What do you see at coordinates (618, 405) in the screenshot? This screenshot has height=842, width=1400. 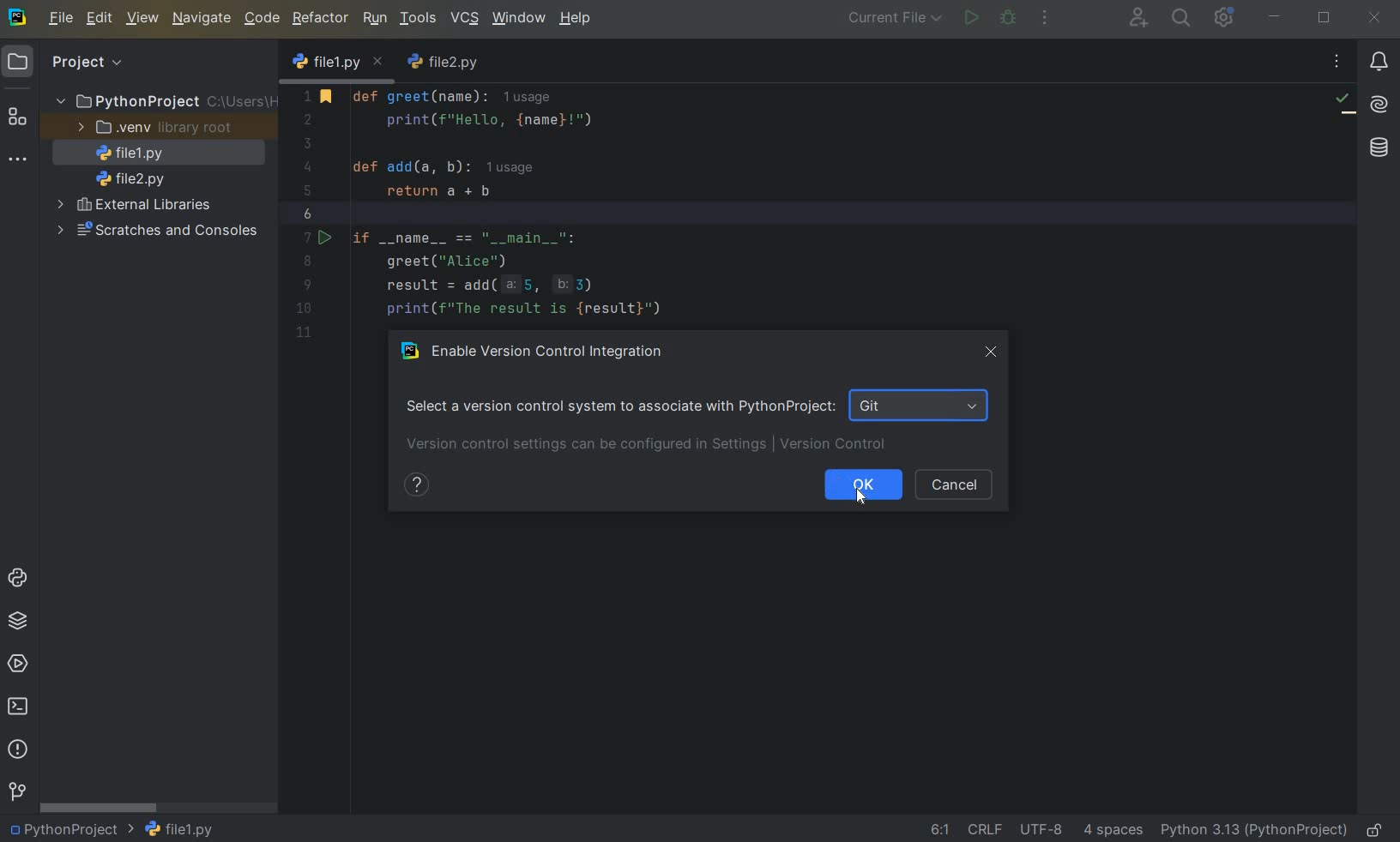 I see `select a version control system to associate with PythonProject` at bounding box center [618, 405].